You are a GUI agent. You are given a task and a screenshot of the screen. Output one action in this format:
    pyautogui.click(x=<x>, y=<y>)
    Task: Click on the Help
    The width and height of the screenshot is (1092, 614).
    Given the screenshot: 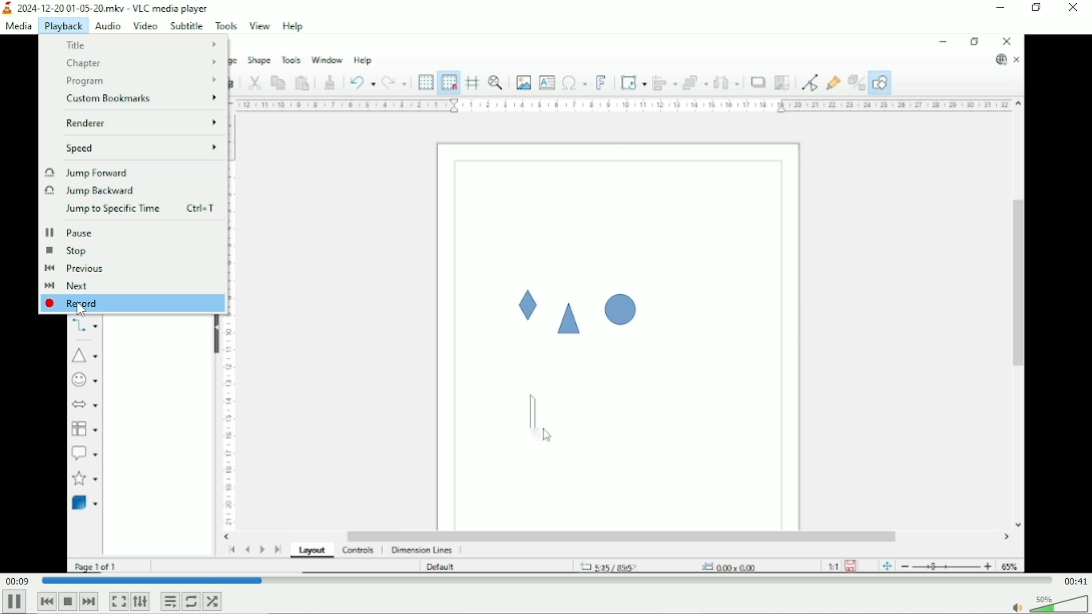 What is the action you would take?
    pyautogui.click(x=293, y=25)
    